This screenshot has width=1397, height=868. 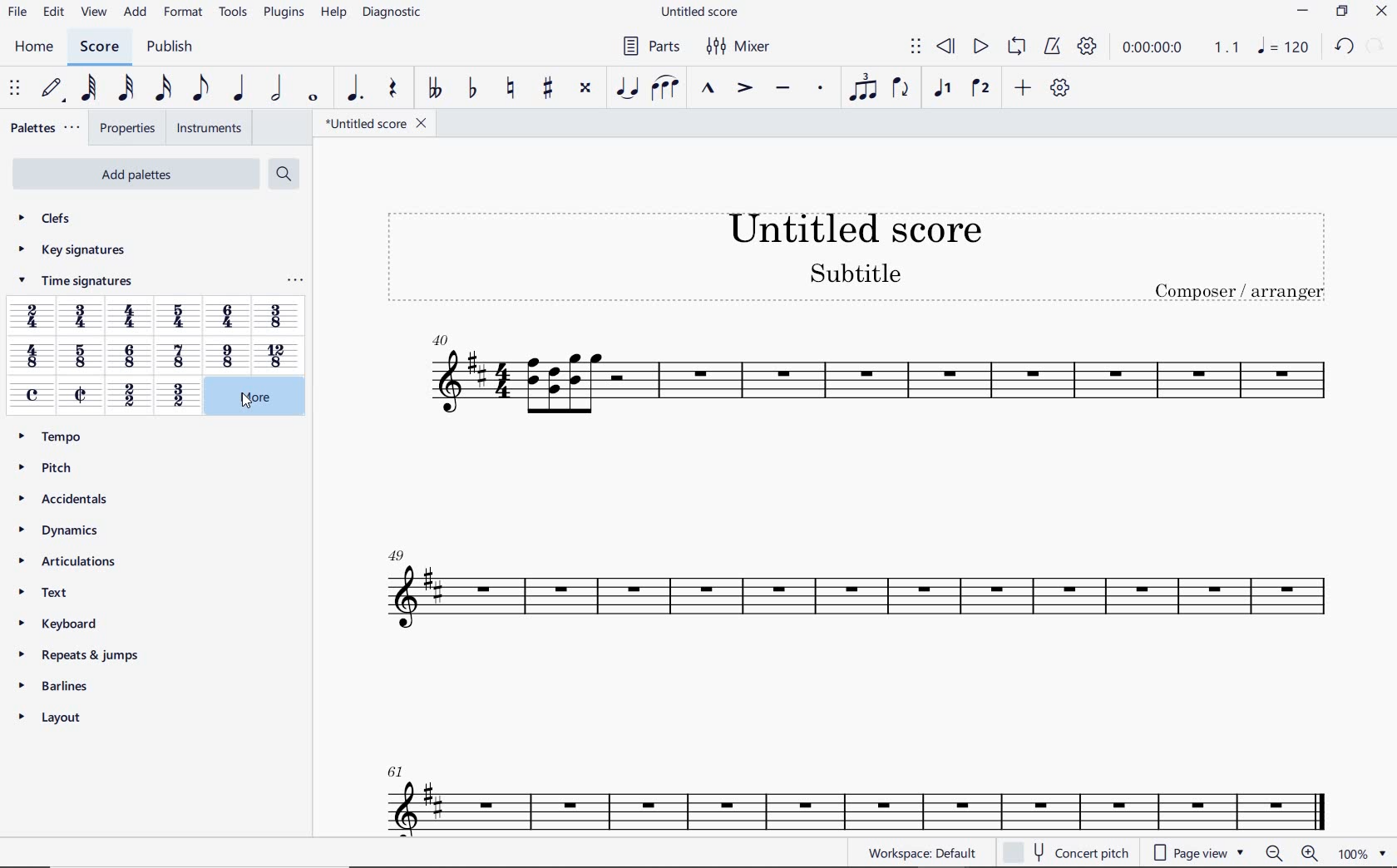 What do you see at coordinates (17, 13) in the screenshot?
I see `FILE` at bounding box center [17, 13].